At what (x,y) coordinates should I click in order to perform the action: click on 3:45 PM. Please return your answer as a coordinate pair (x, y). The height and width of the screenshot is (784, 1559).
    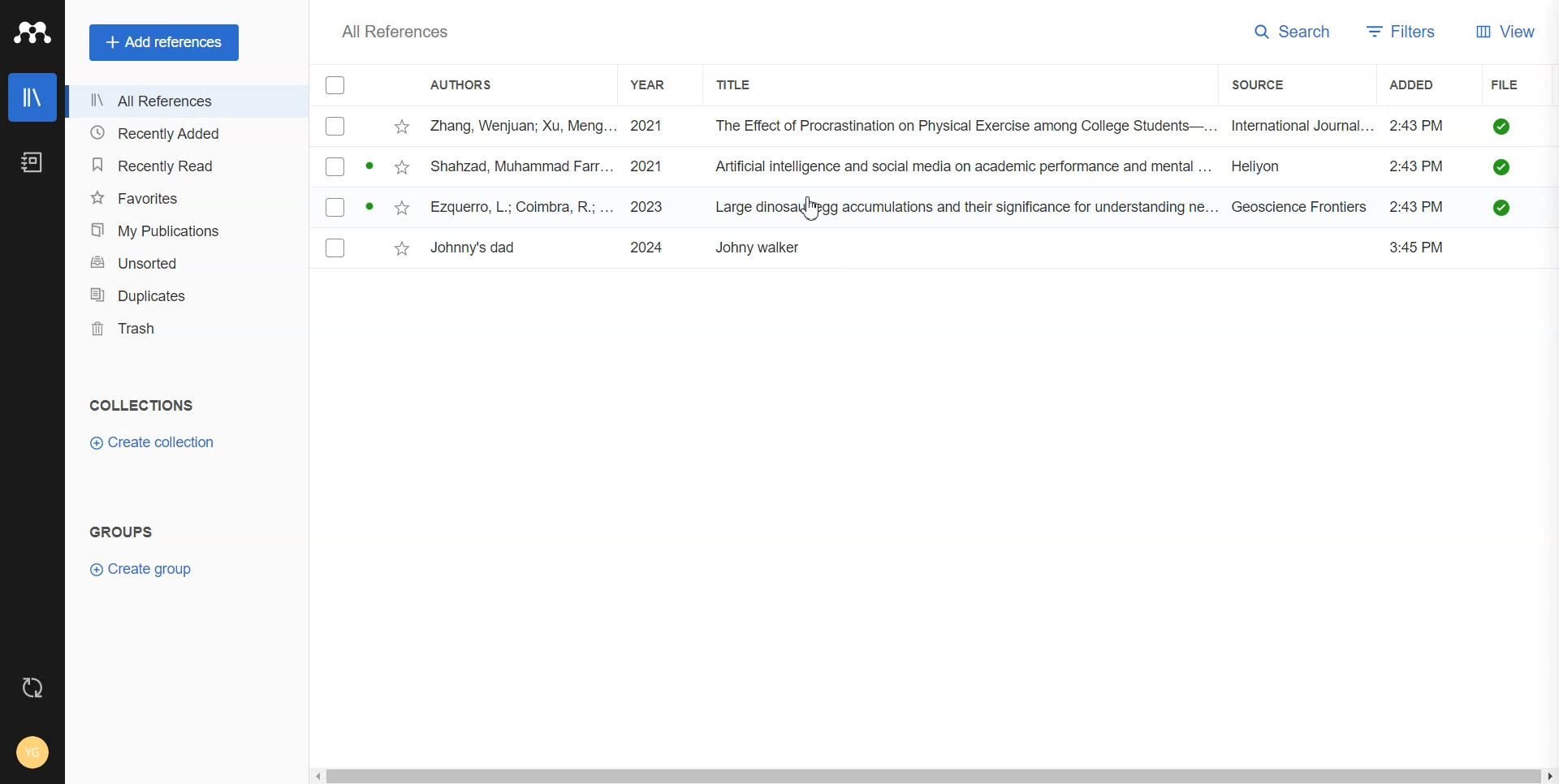
    Looking at the image, I should click on (1418, 248).